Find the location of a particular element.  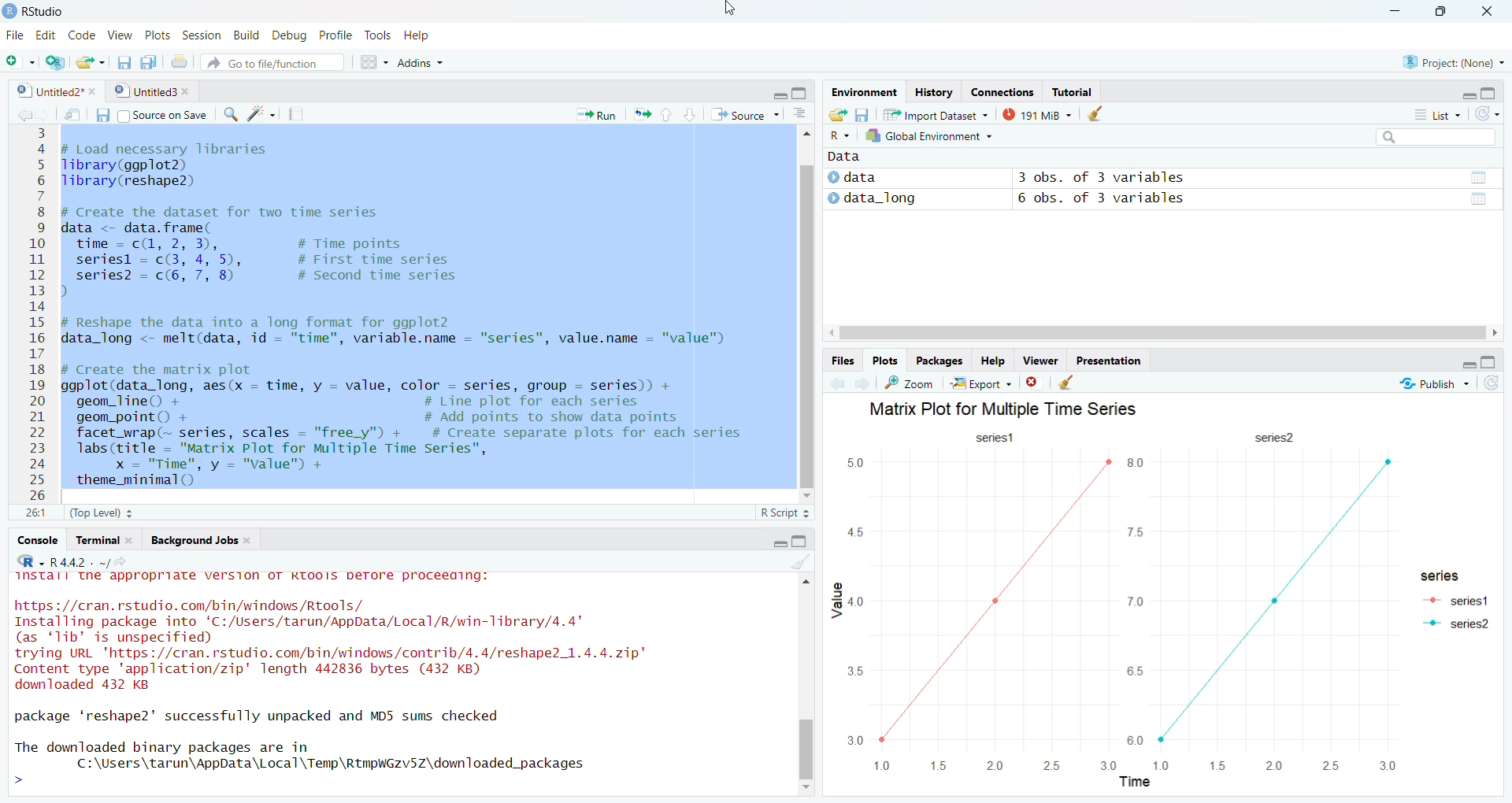

Scroll down is located at coordinates (807, 788).